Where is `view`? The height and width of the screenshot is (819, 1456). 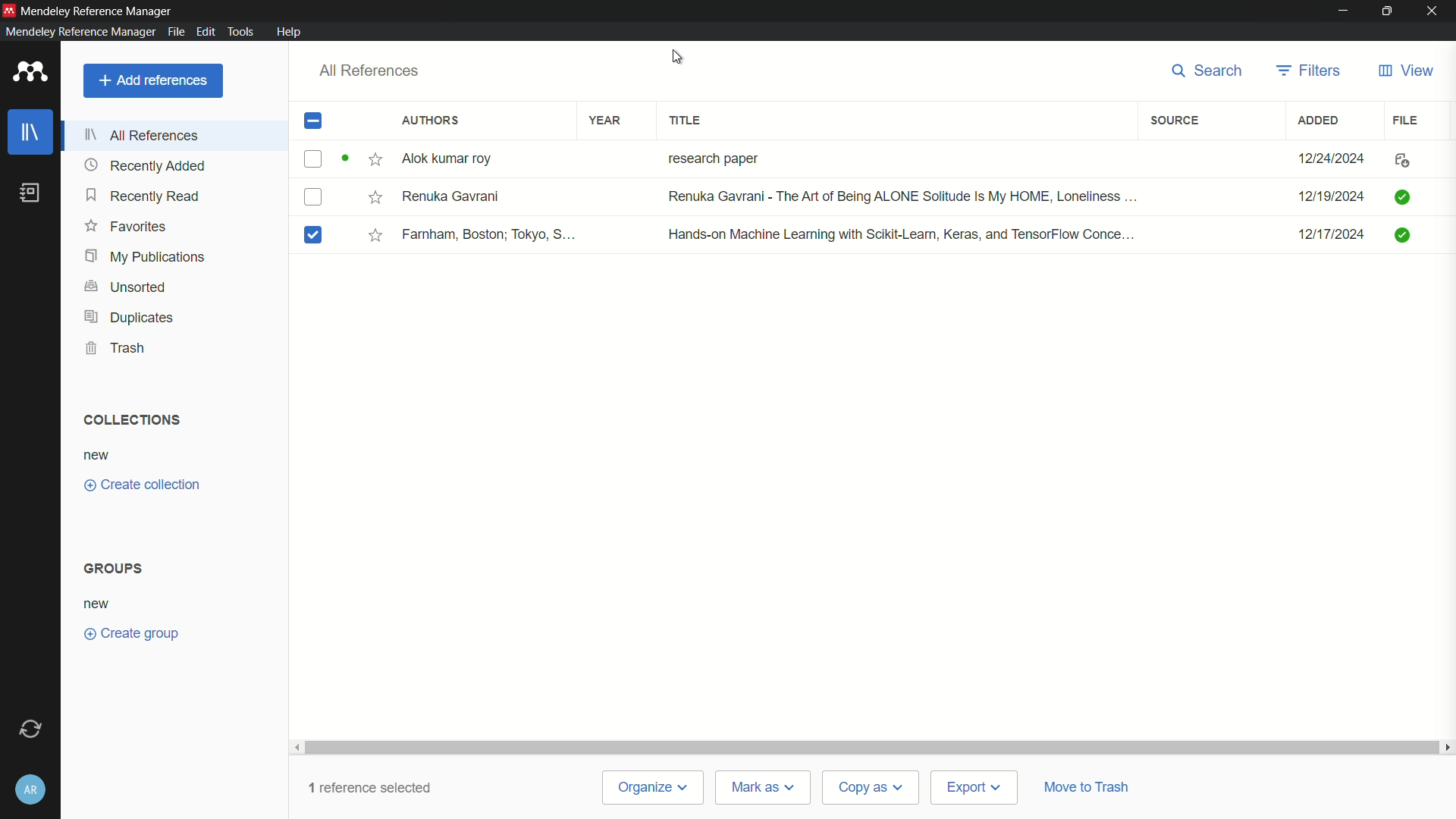
view is located at coordinates (1406, 71).